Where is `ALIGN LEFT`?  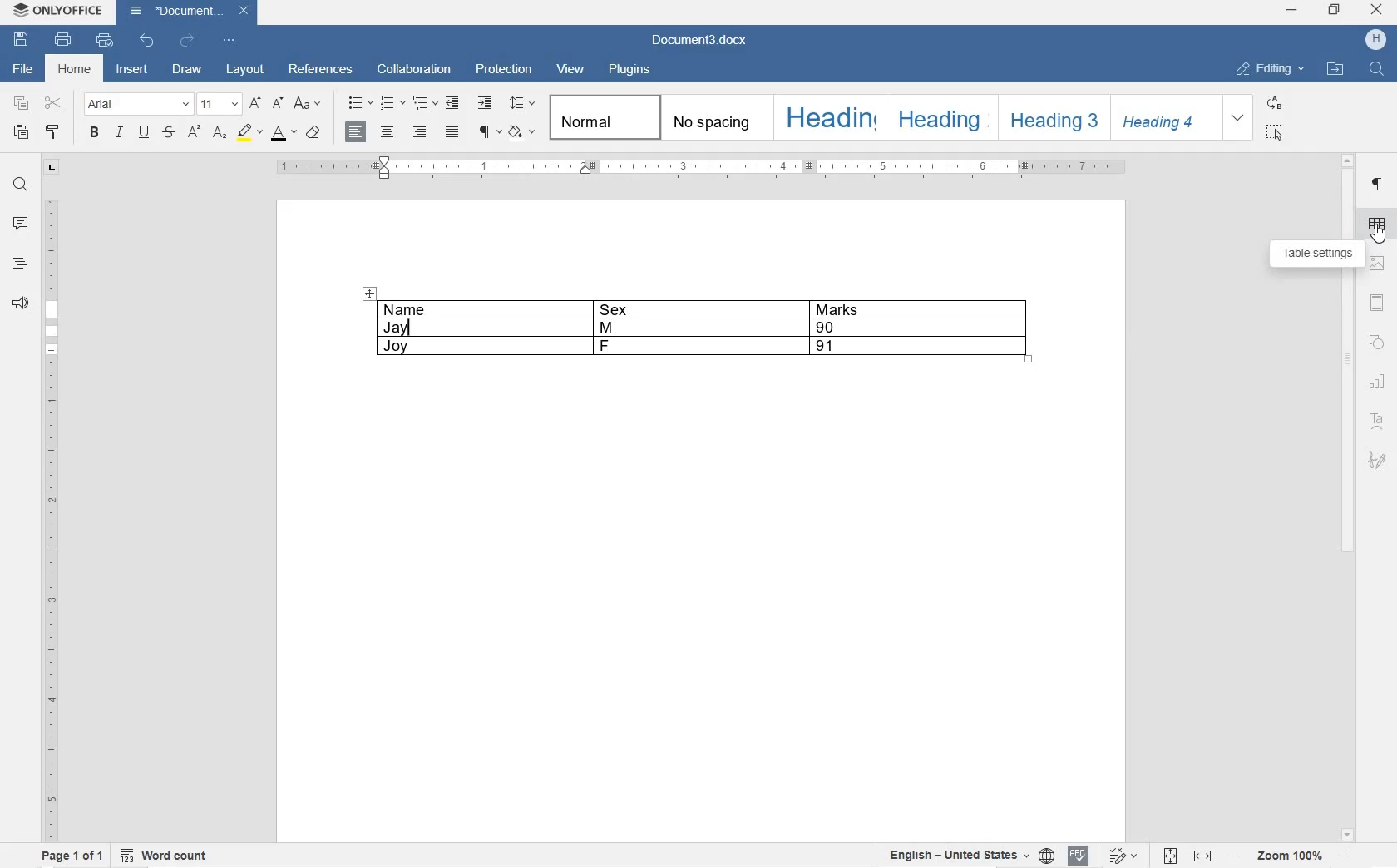
ALIGN LEFT is located at coordinates (358, 132).